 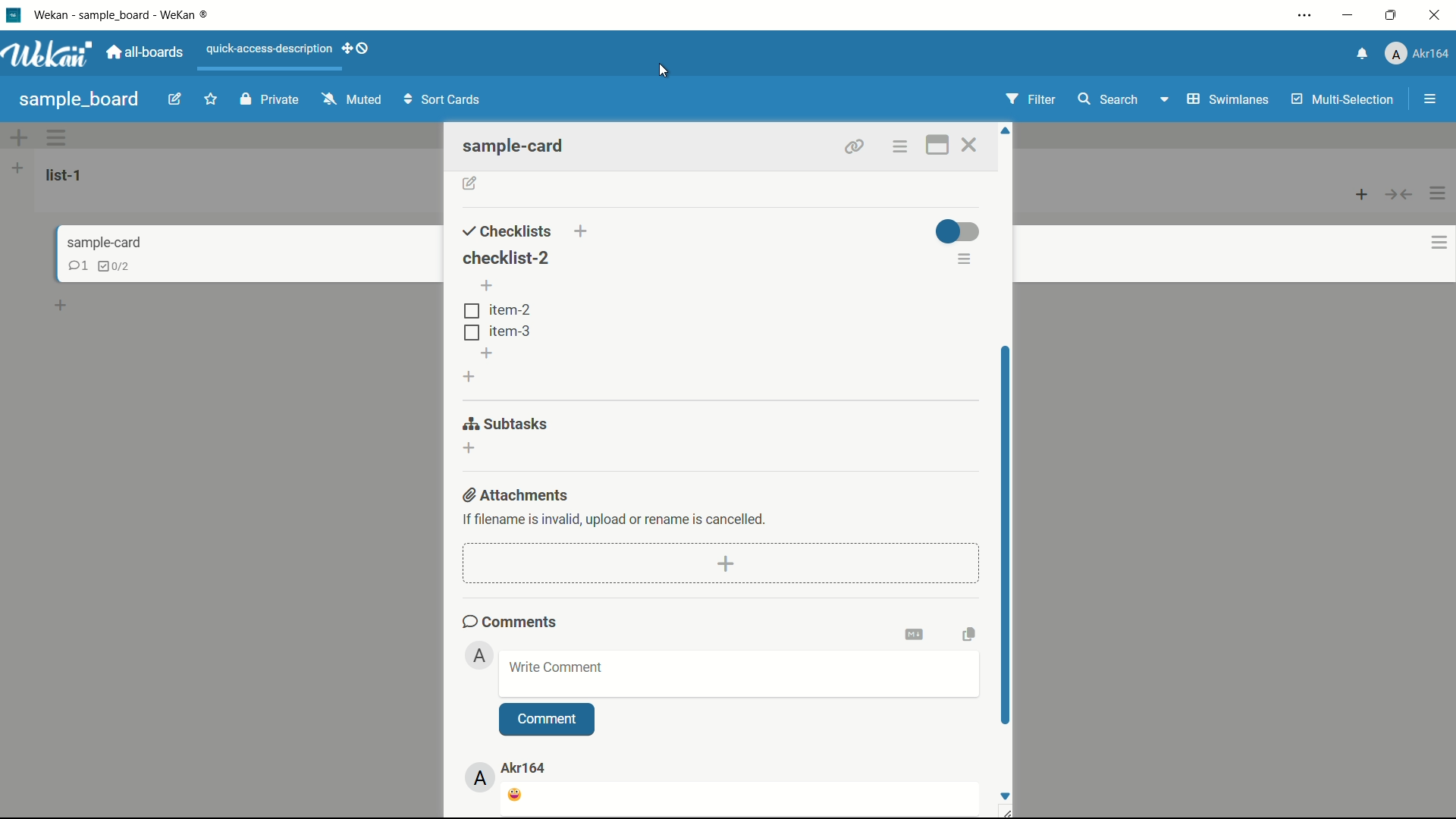 What do you see at coordinates (357, 50) in the screenshot?
I see `show-desktop-drag-handles` at bounding box center [357, 50].